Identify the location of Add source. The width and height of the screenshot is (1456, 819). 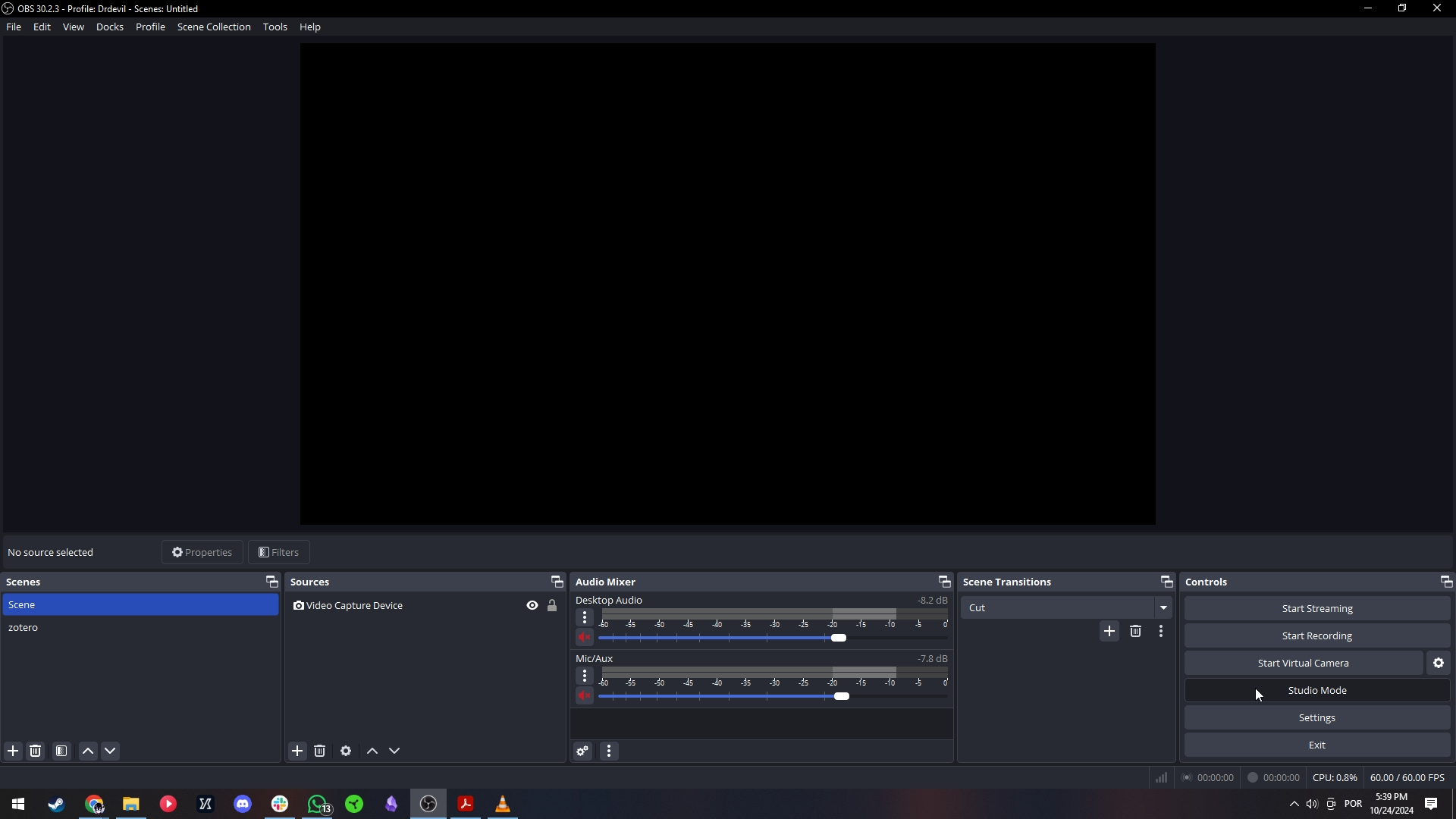
(297, 751).